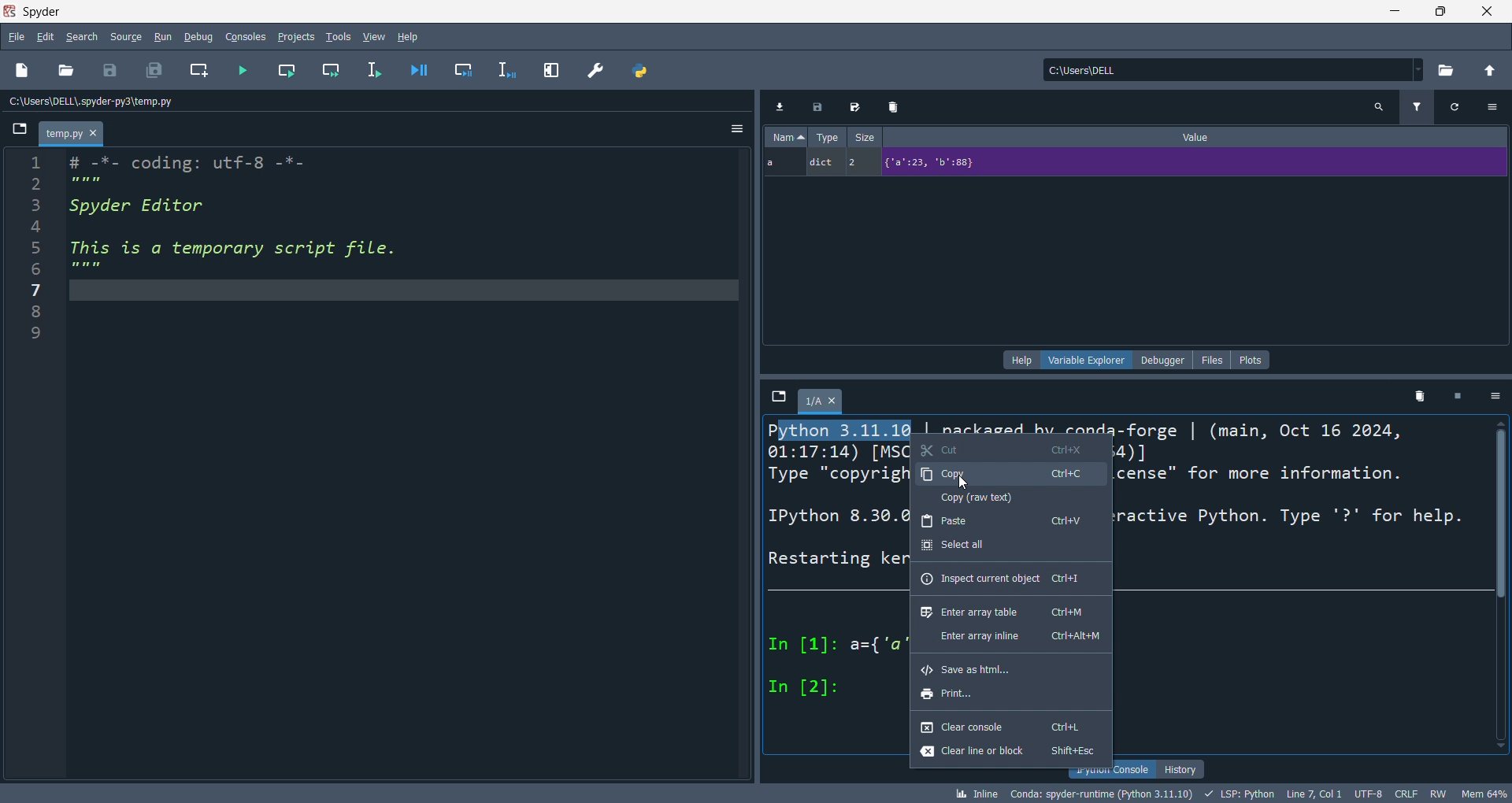  What do you see at coordinates (1485, 13) in the screenshot?
I see `close` at bounding box center [1485, 13].